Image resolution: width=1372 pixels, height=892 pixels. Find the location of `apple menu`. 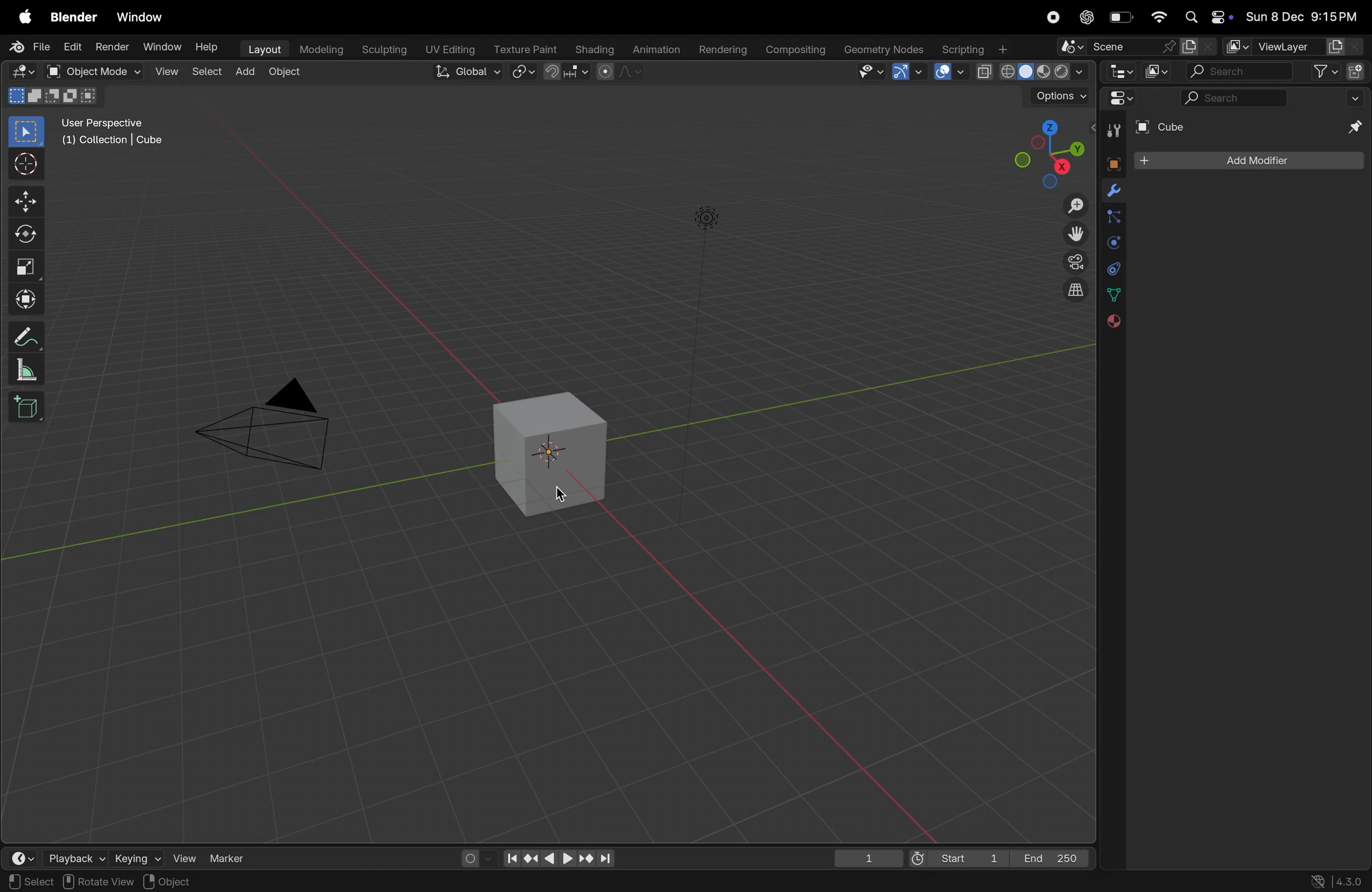

apple menu is located at coordinates (26, 18).